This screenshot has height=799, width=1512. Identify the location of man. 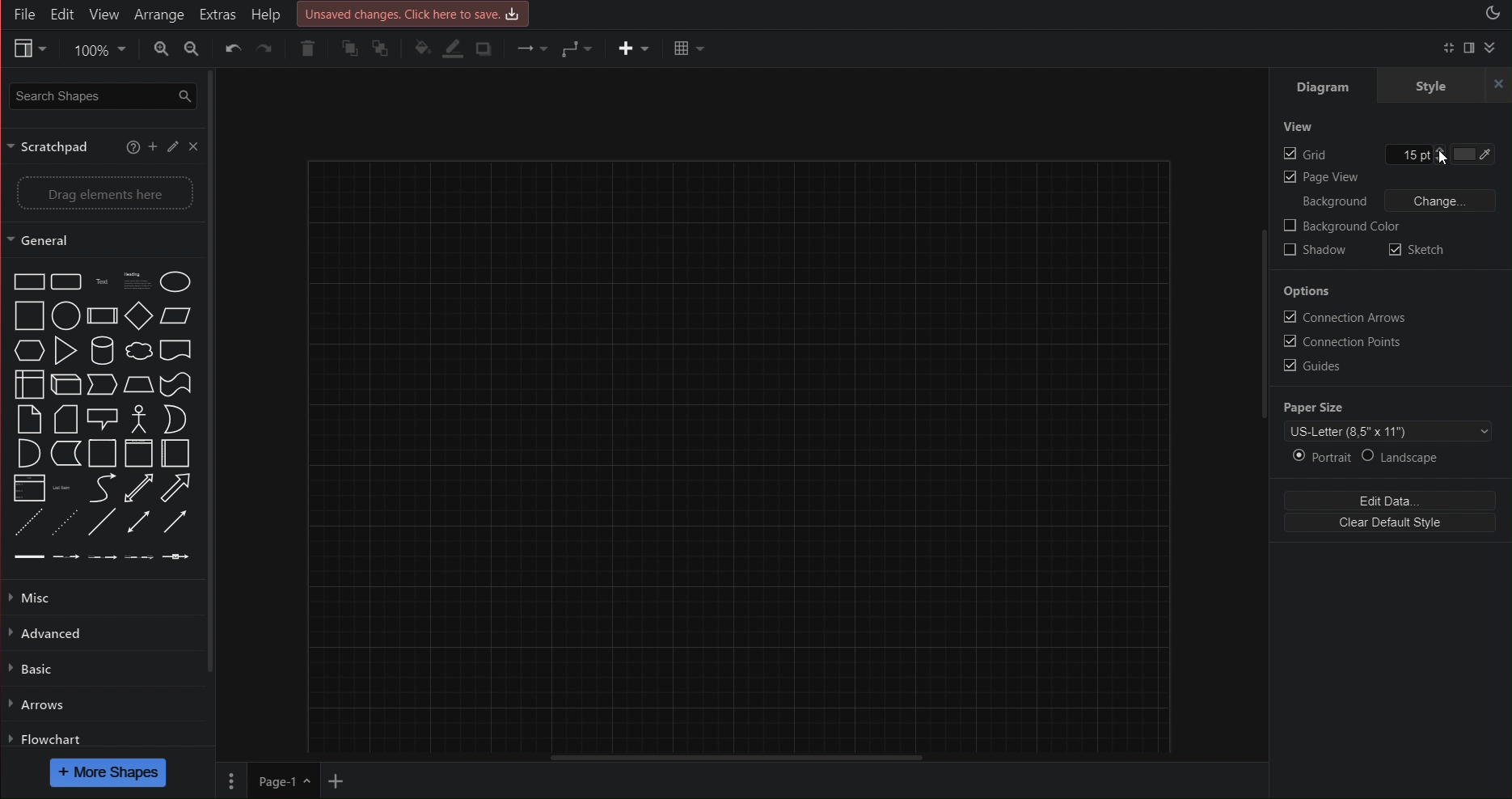
(137, 414).